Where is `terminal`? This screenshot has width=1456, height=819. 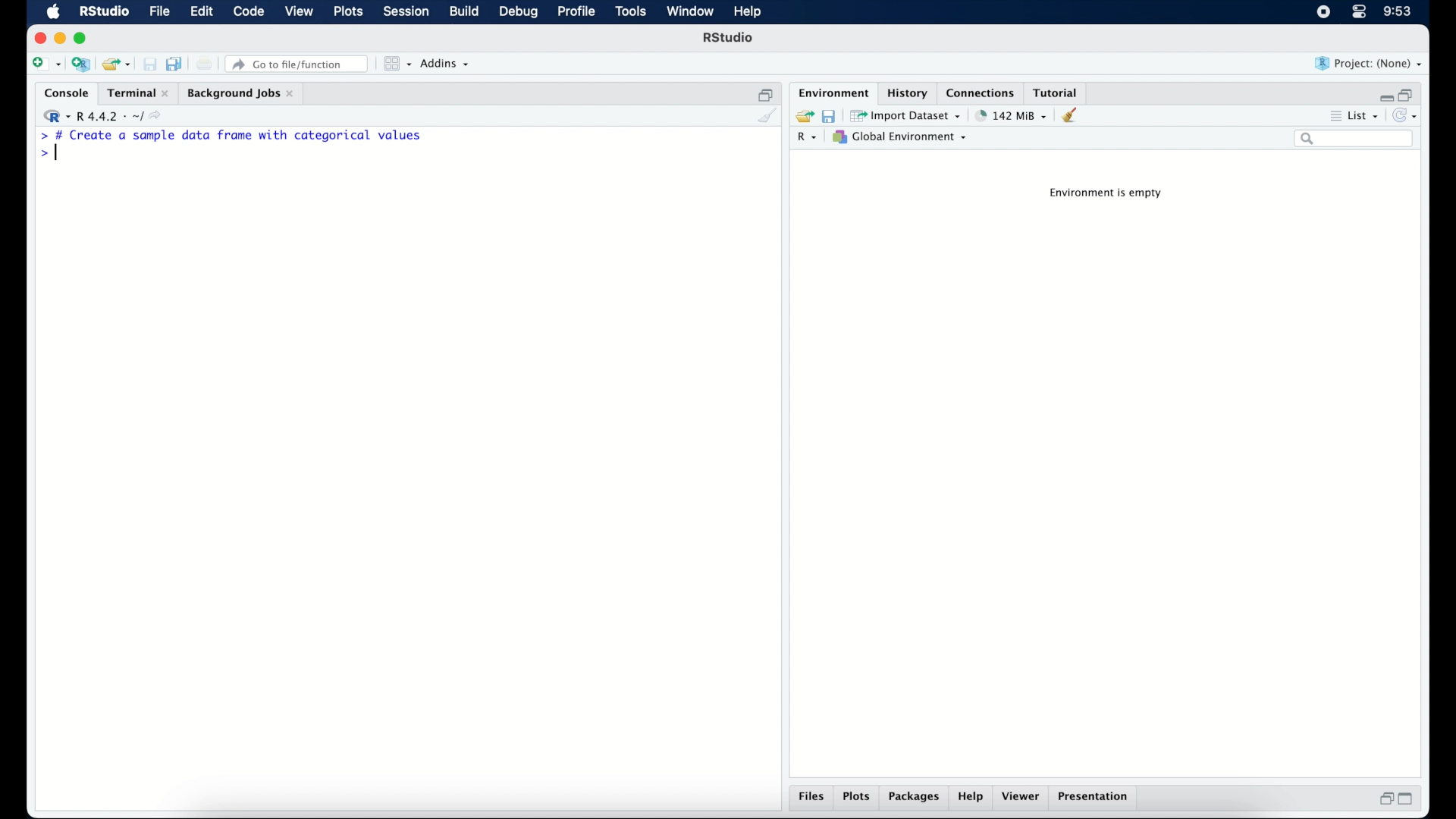
terminal is located at coordinates (136, 91).